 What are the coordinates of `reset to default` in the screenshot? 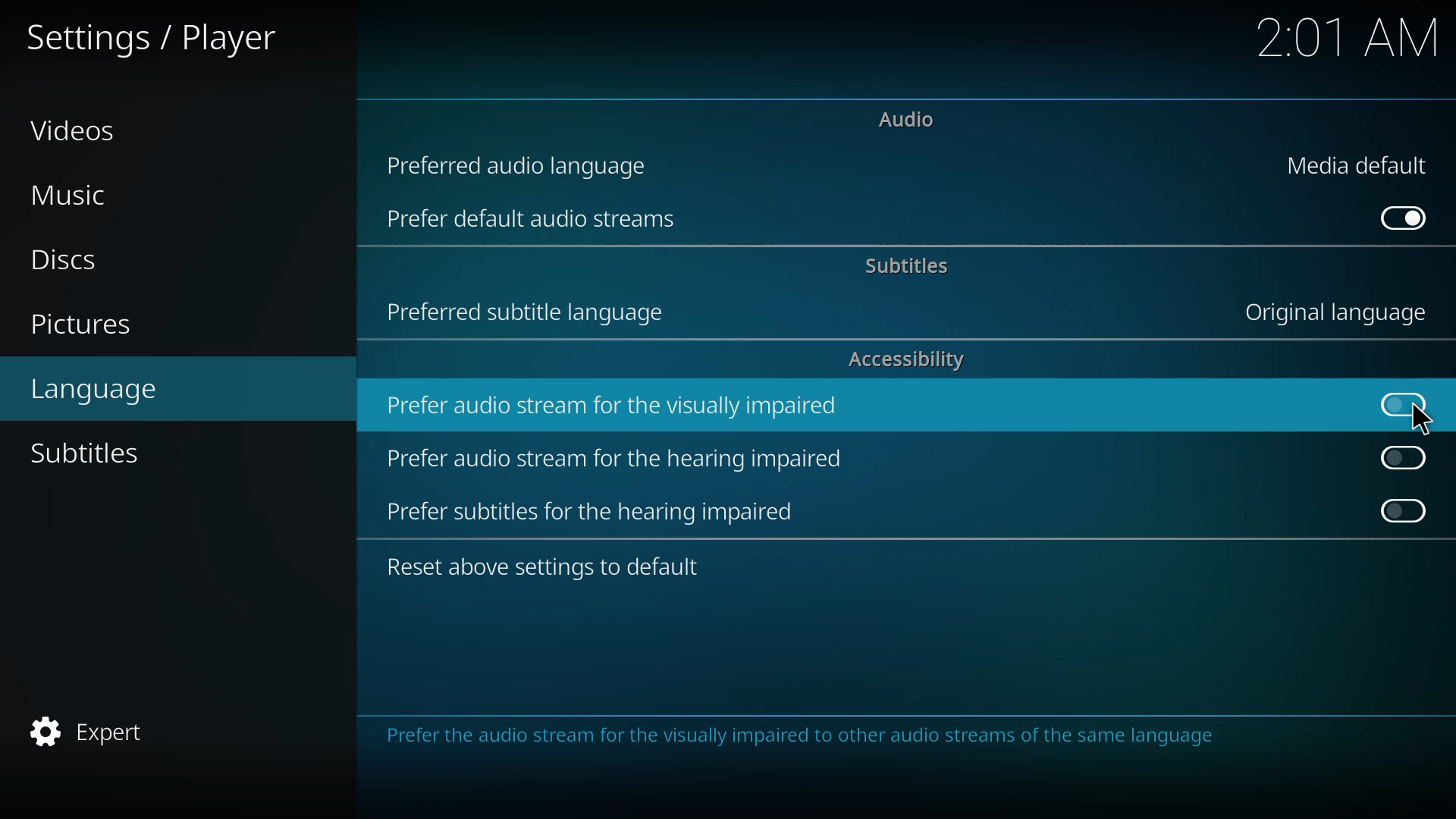 It's located at (544, 567).